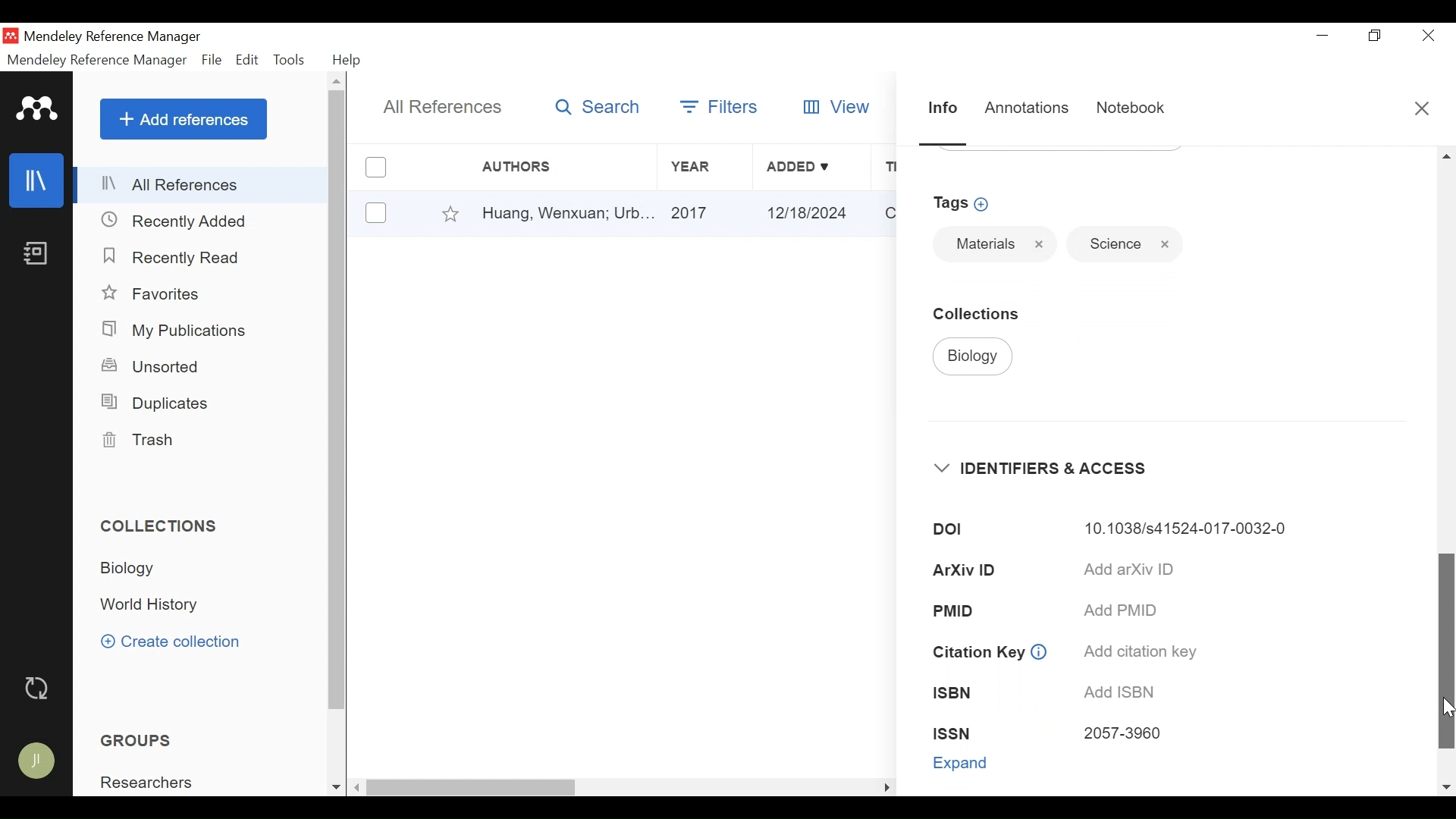 Image resolution: width=1456 pixels, height=819 pixels. What do you see at coordinates (954, 693) in the screenshot?
I see `ISBN` at bounding box center [954, 693].